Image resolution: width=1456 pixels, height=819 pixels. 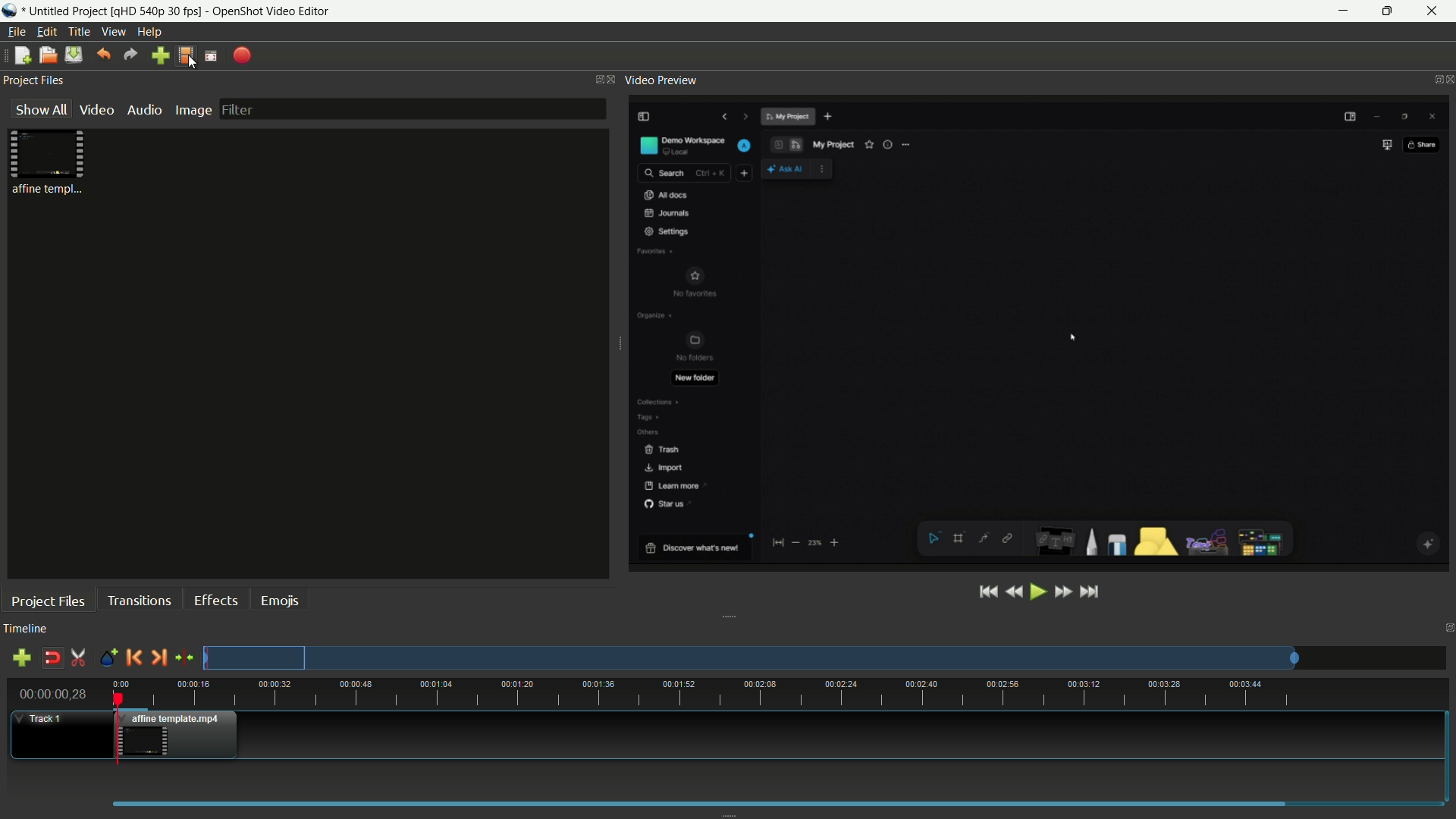 What do you see at coordinates (133, 657) in the screenshot?
I see `previous marker` at bounding box center [133, 657].